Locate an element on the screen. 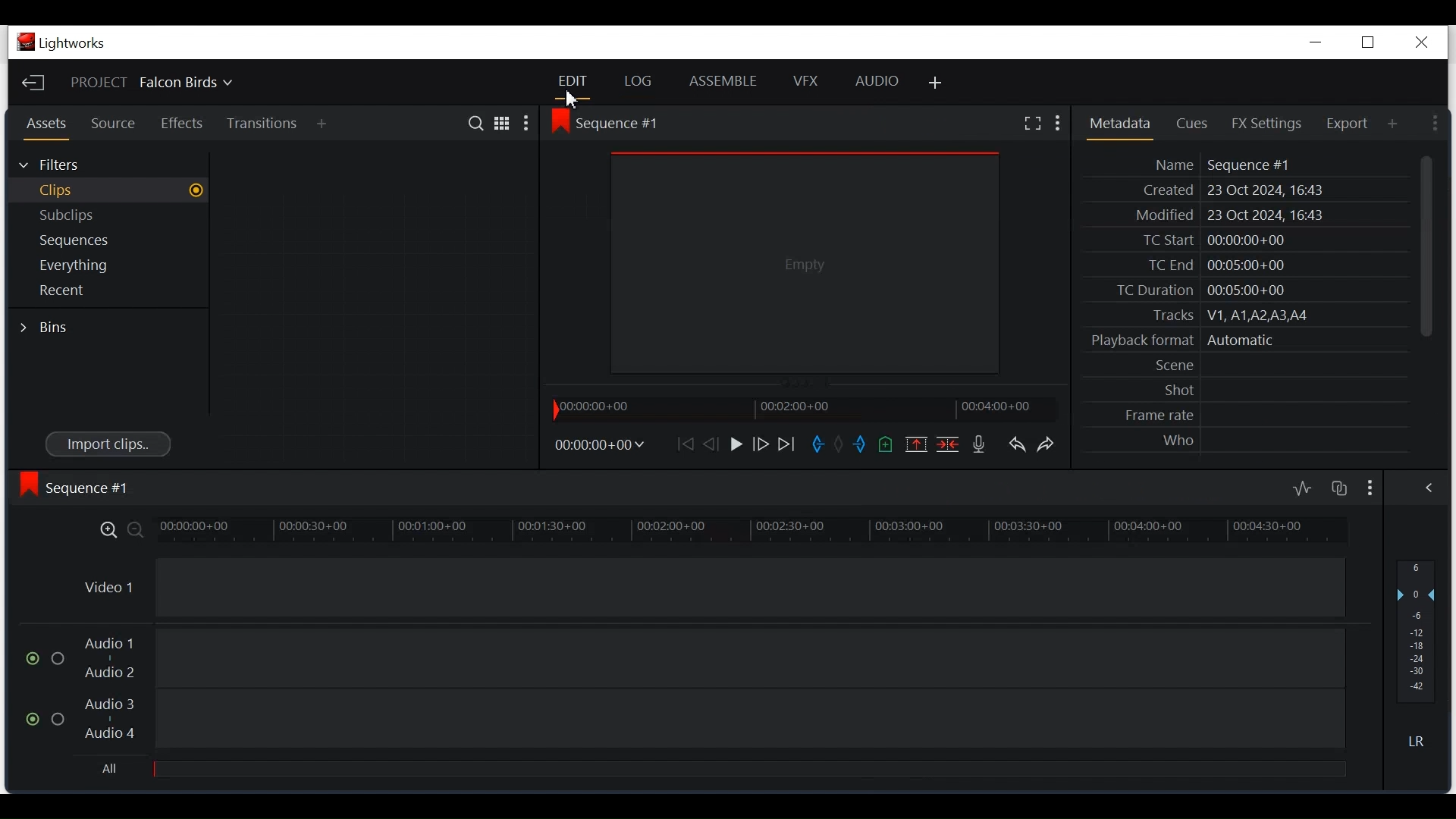 The image size is (1456, 819). Audio is located at coordinates (879, 80).